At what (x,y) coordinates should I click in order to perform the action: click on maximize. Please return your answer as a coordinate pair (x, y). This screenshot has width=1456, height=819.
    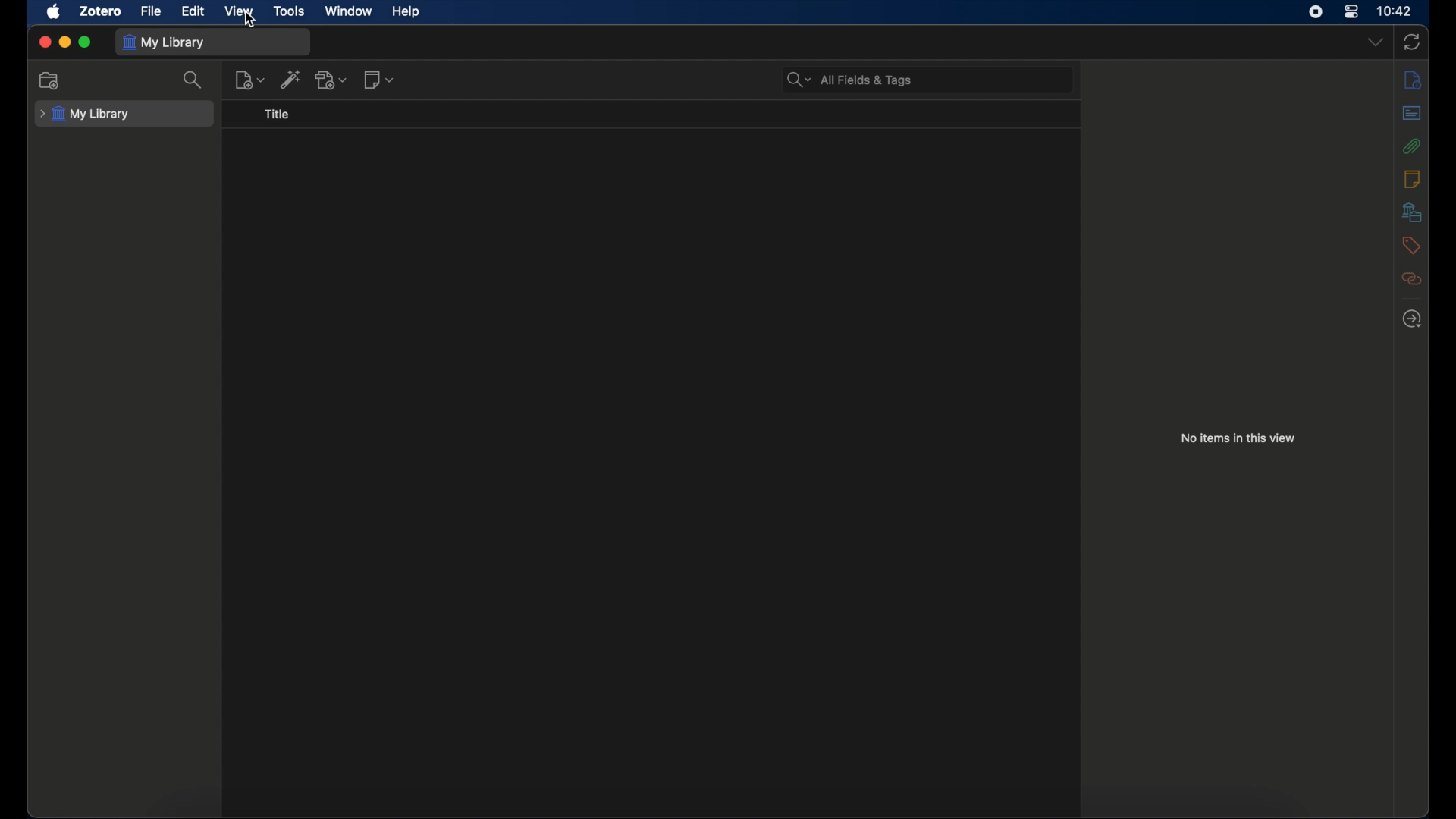
    Looking at the image, I should click on (85, 42).